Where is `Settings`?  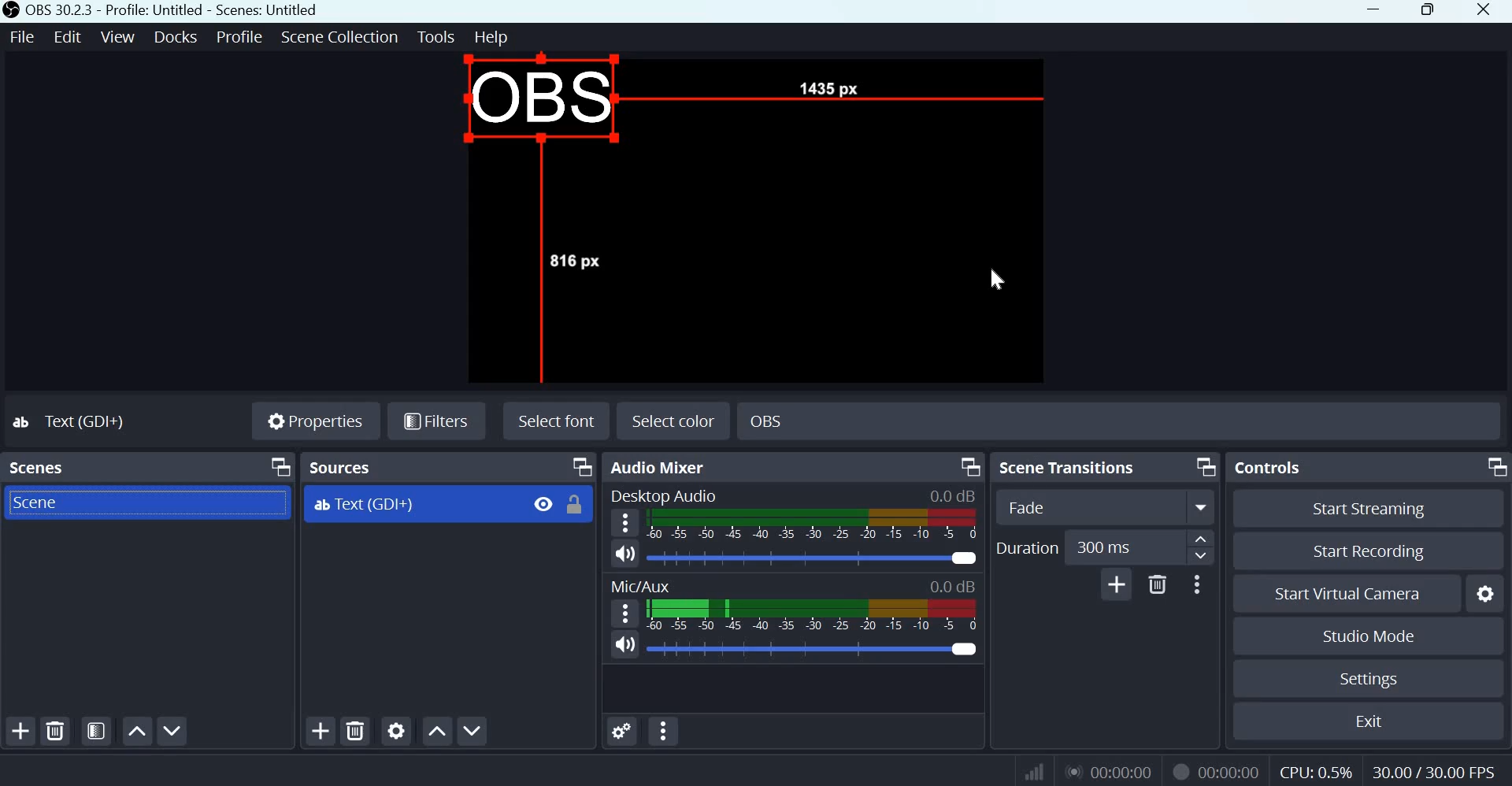
Settings is located at coordinates (1370, 679).